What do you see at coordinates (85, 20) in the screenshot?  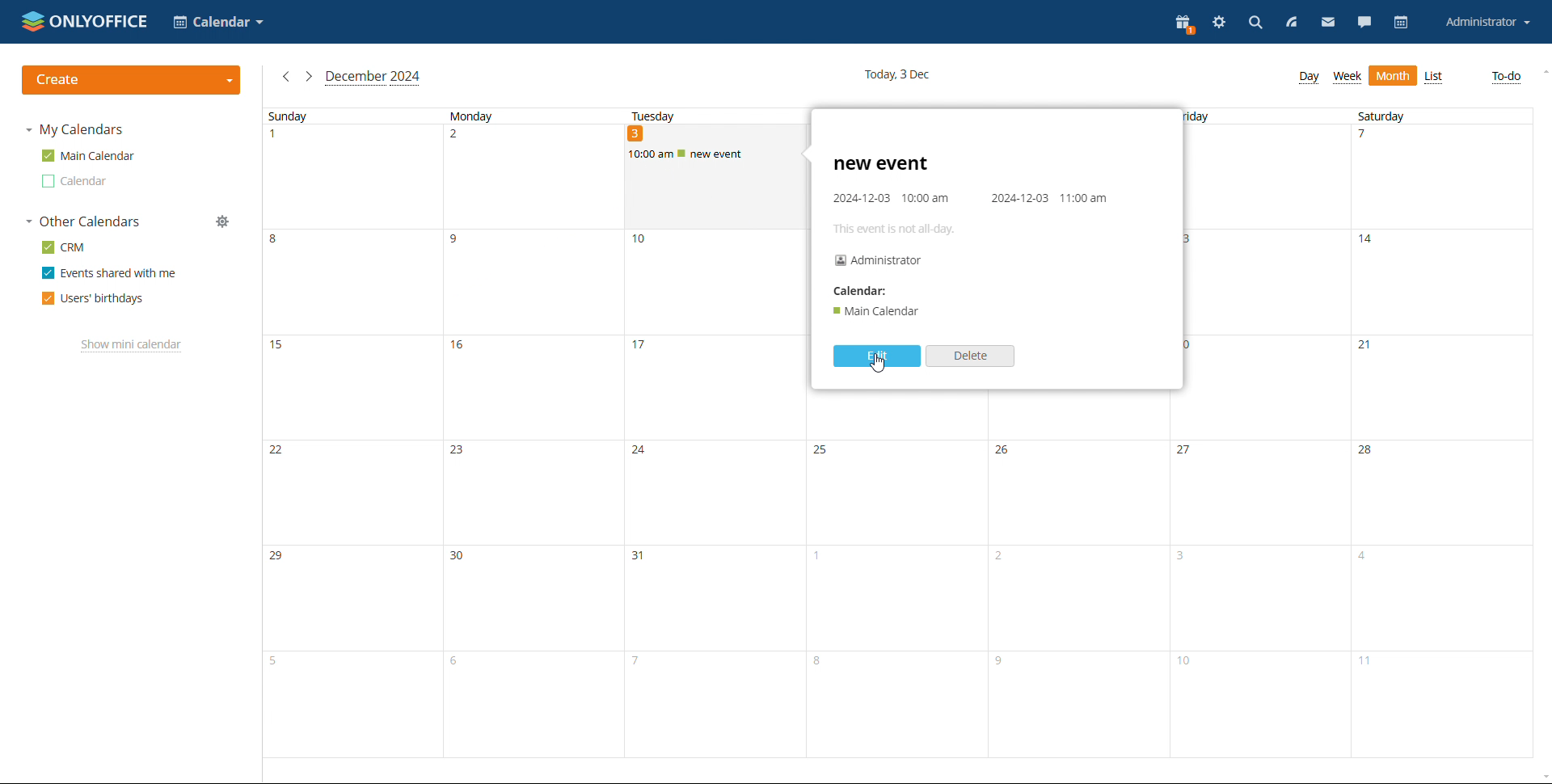 I see `logo` at bounding box center [85, 20].